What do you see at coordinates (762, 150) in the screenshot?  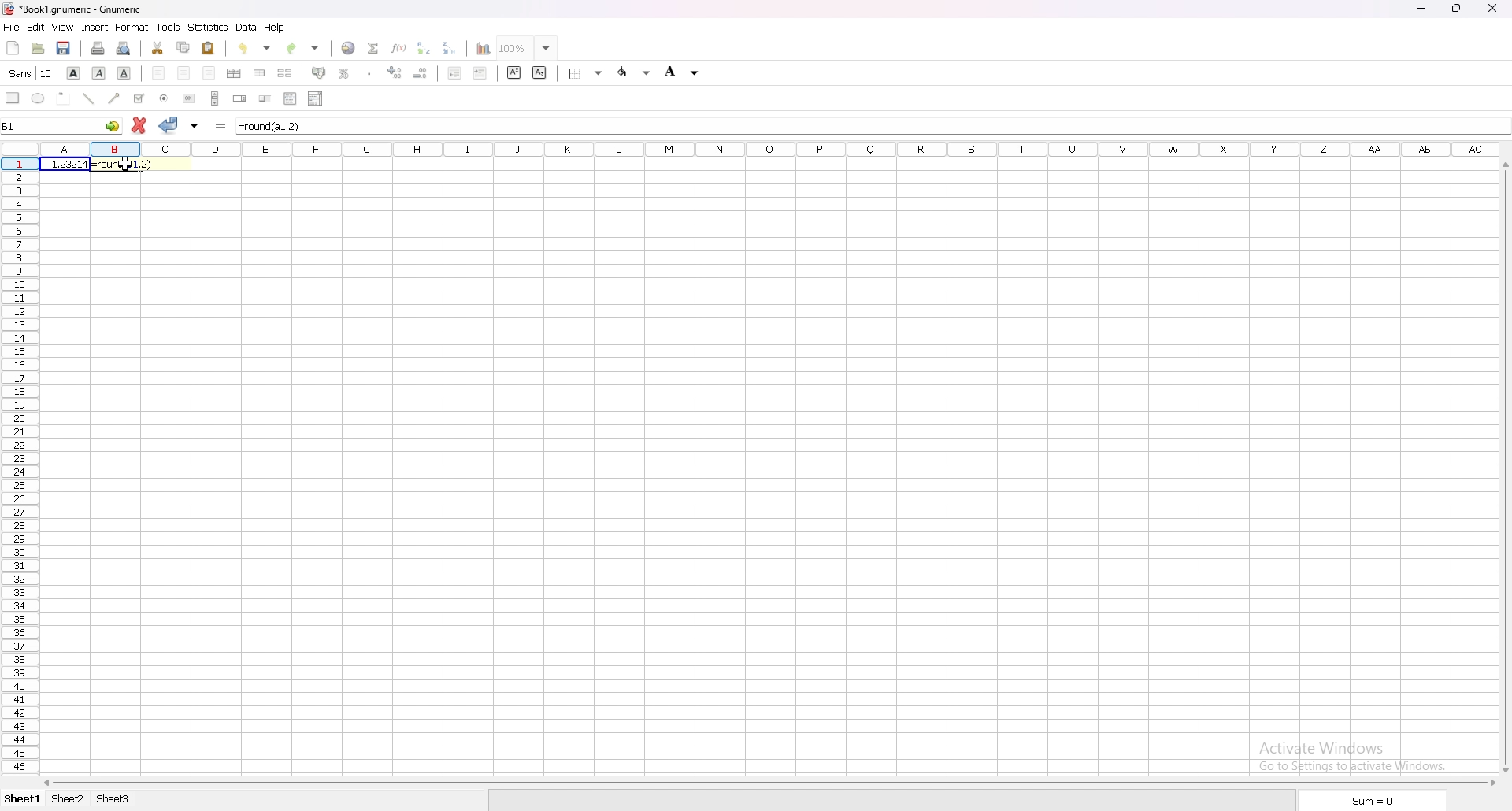 I see `columns` at bounding box center [762, 150].